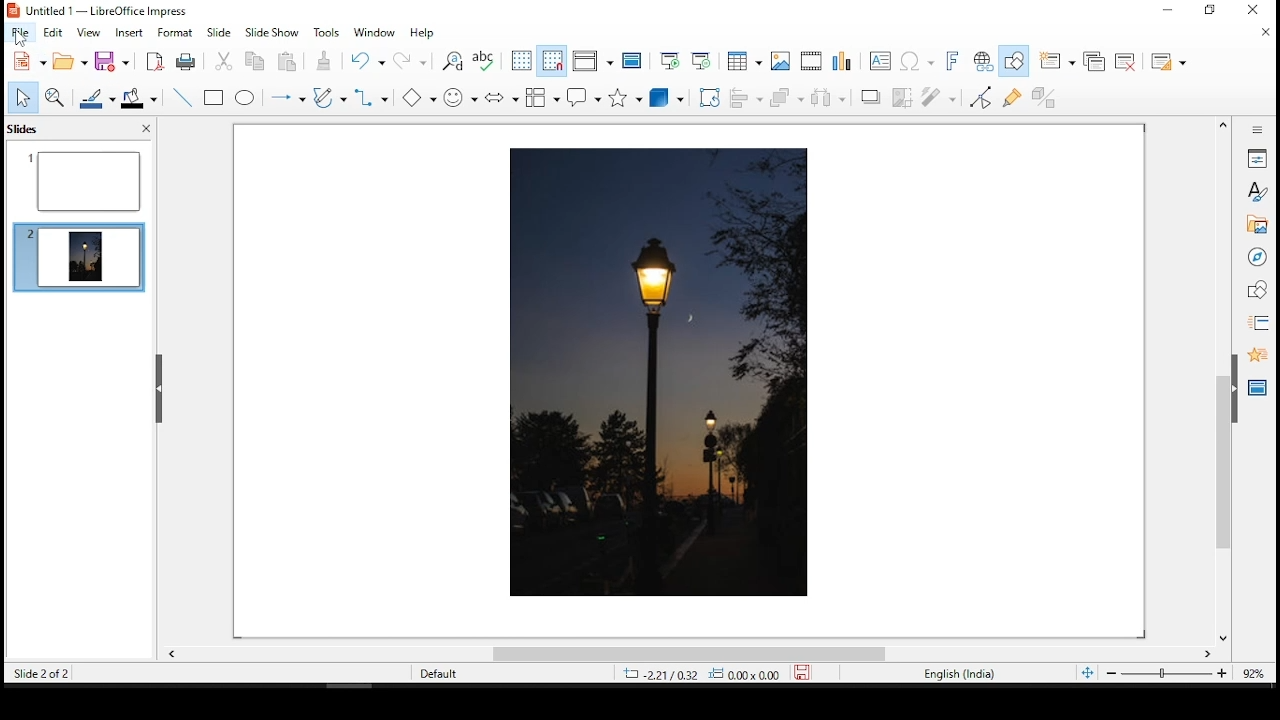 The image size is (1280, 720). Describe the element at coordinates (501, 98) in the screenshot. I see `block arrows` at that location.